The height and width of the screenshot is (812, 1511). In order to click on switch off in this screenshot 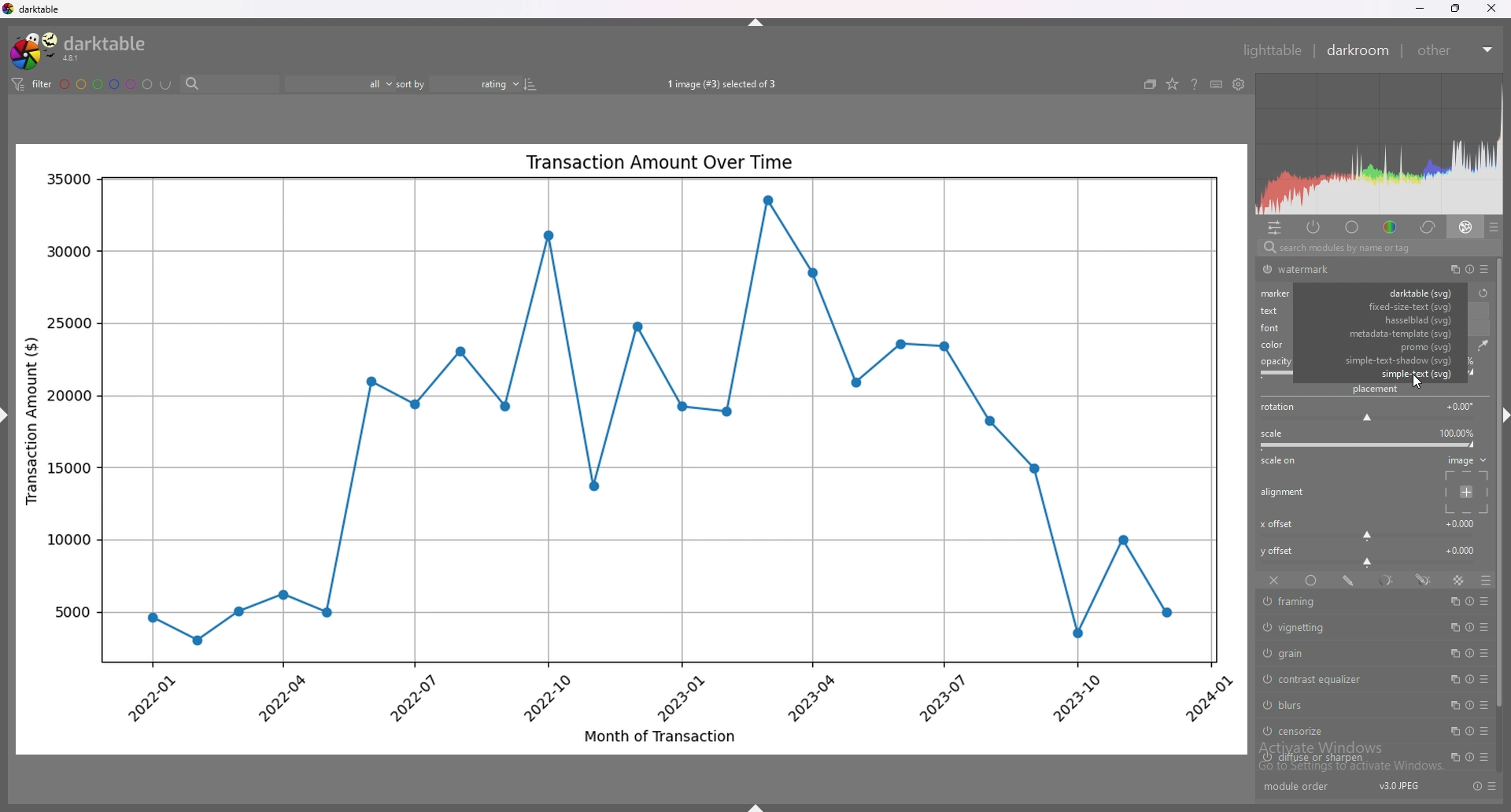, I will do `click(1265, 758)`.